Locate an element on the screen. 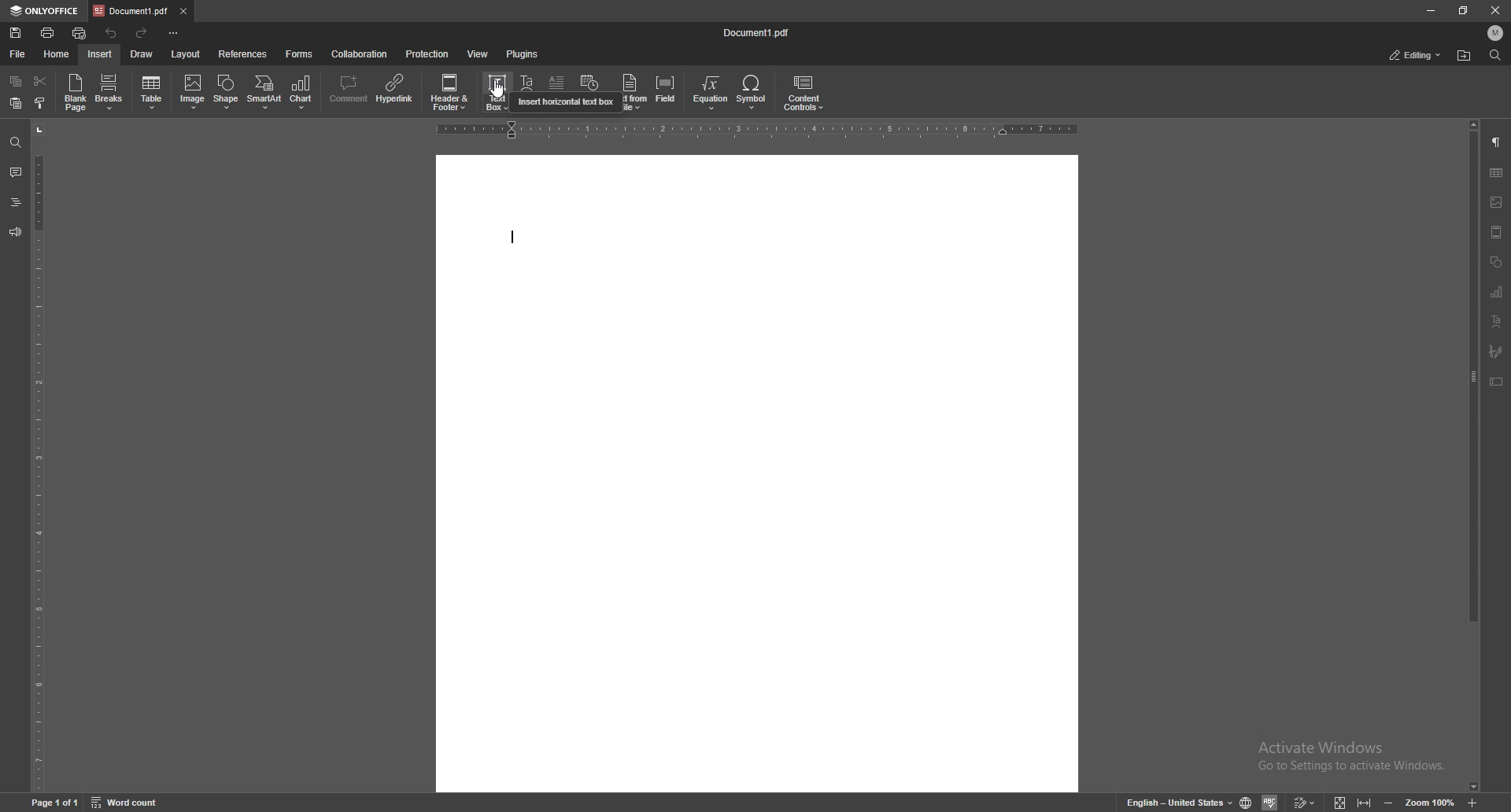  blank page is located at coordinates (75, 92).